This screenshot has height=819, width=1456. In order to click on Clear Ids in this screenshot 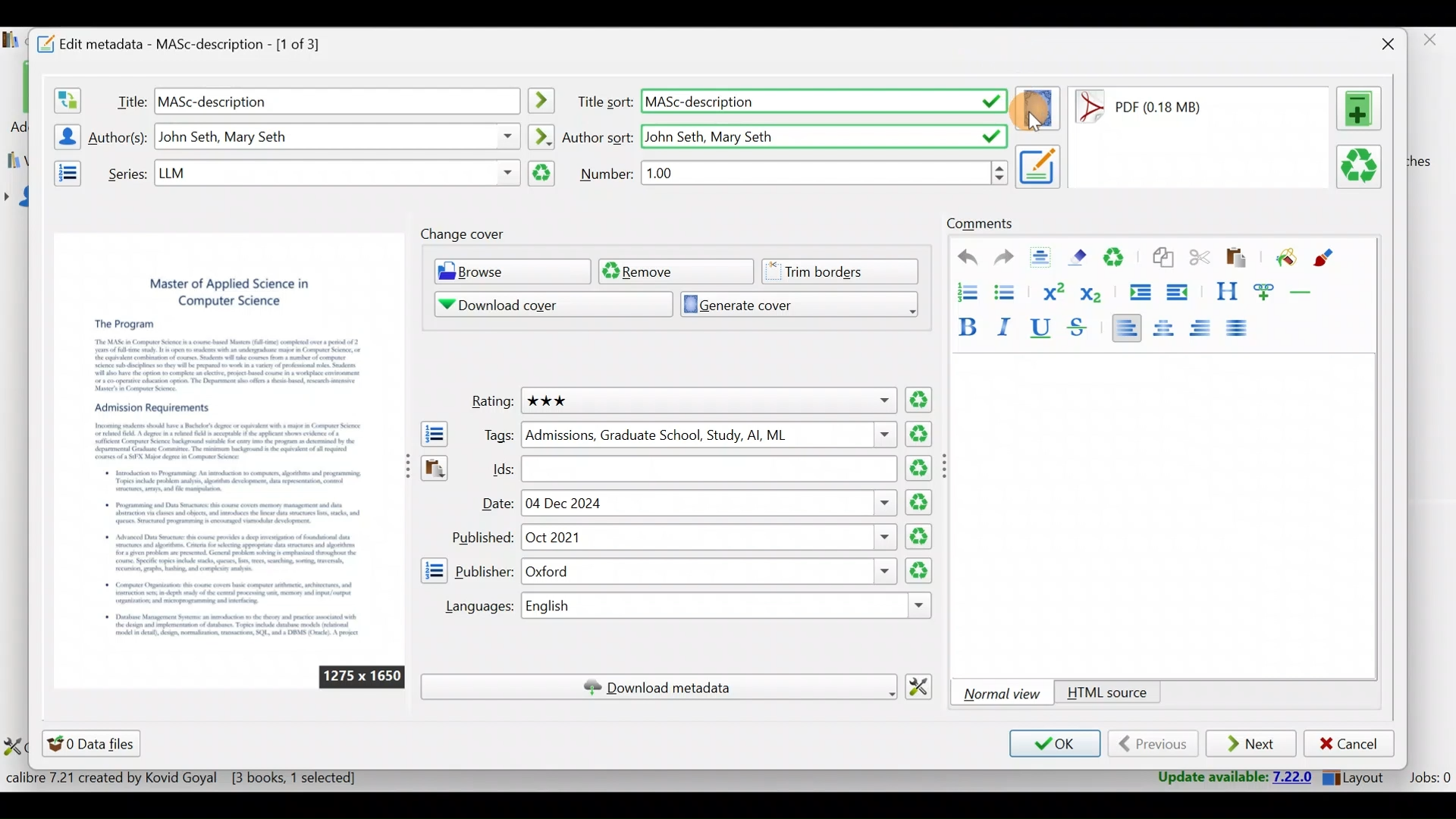, I will do `click(921, 469)`.